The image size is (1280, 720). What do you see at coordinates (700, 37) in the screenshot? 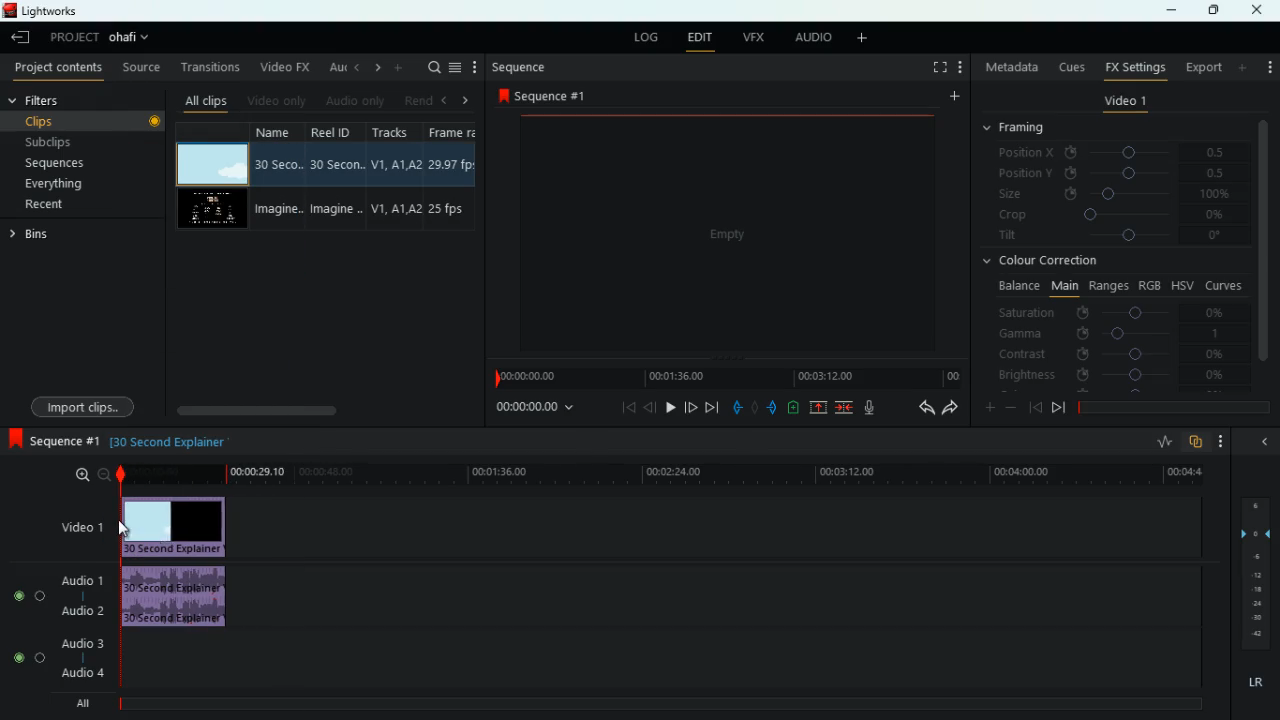
I see `edit` at bounding box center [700, 37].